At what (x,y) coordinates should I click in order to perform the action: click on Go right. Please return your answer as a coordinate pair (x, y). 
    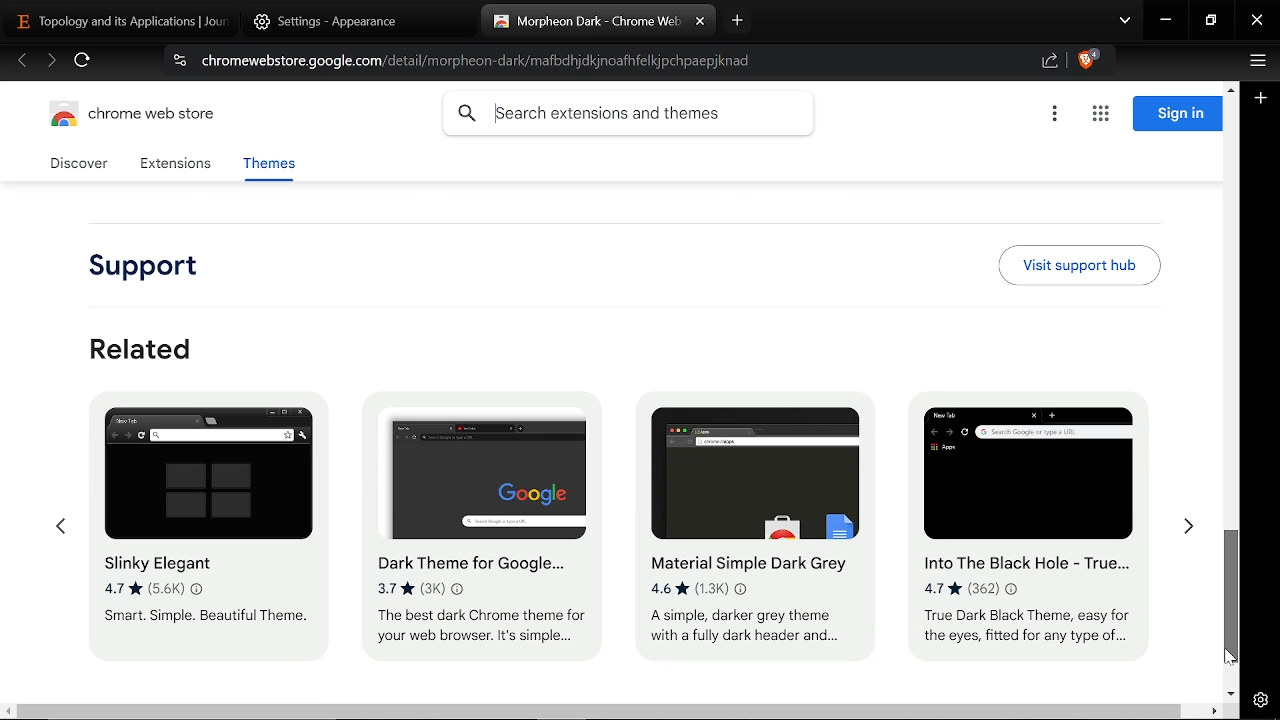
    Looking at the image, I should click on (1188, 532).